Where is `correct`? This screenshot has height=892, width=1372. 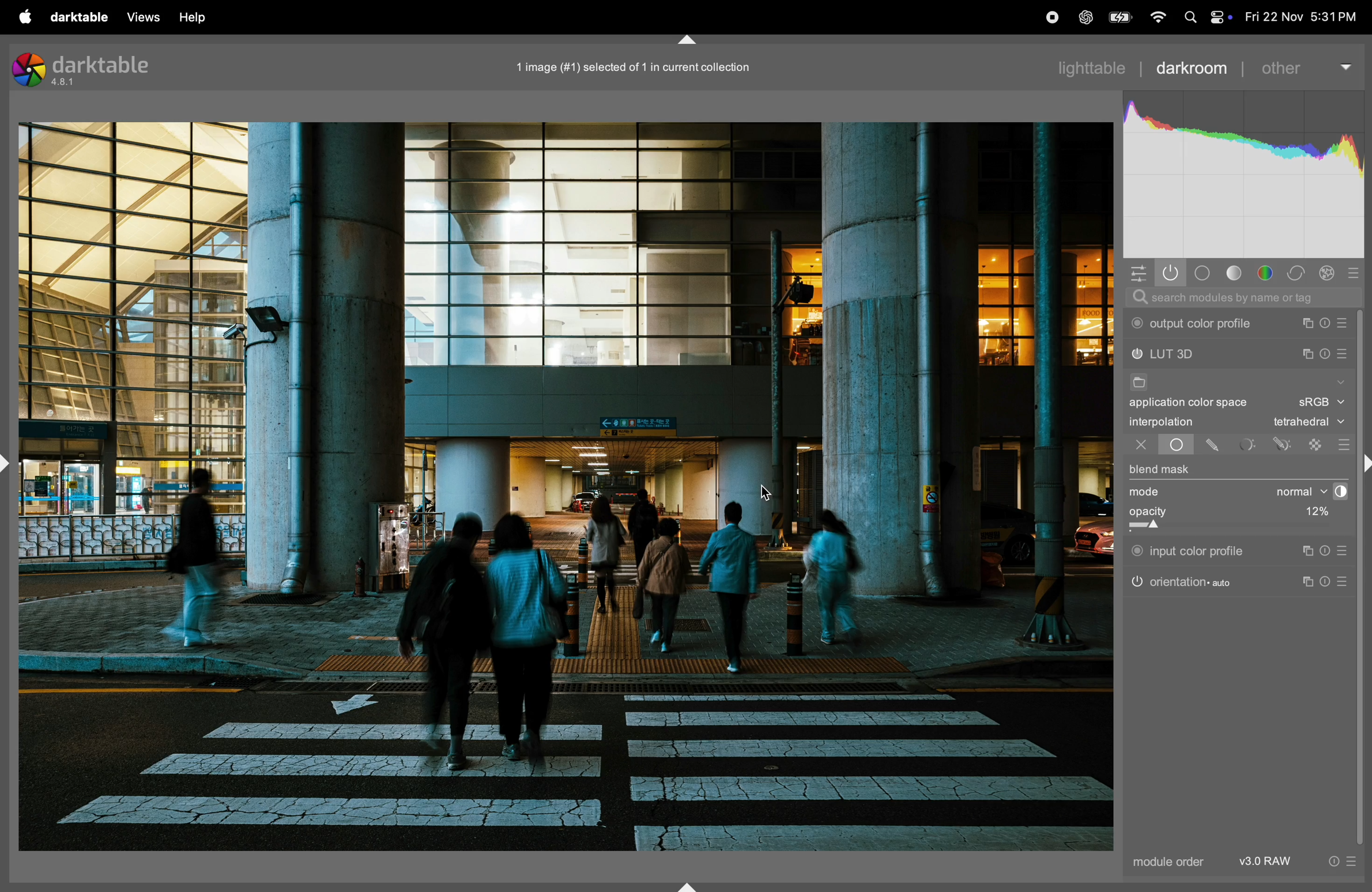
correct is located at coordinates (1329, 273).